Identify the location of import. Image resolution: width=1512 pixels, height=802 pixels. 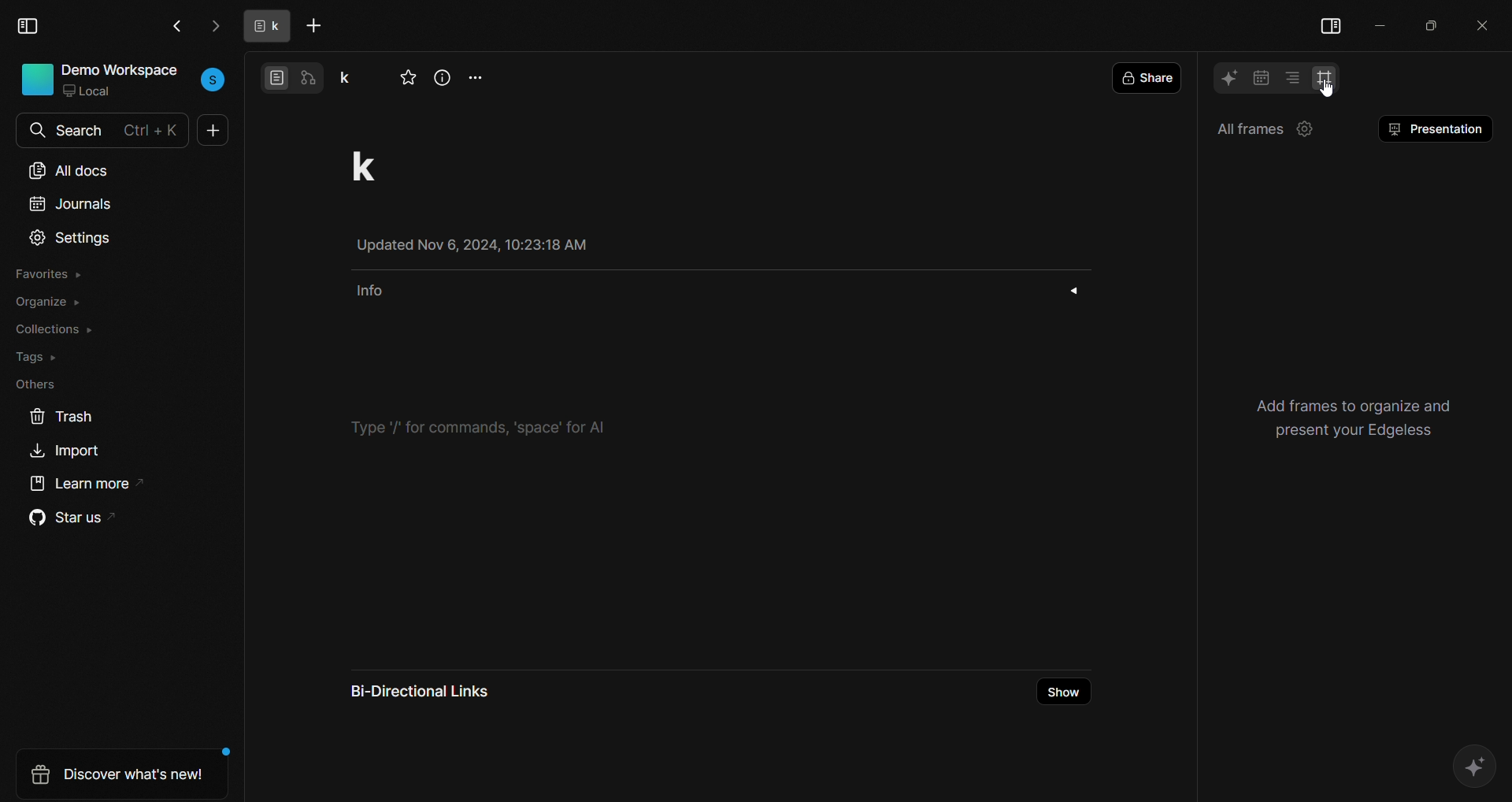
(69, 453).